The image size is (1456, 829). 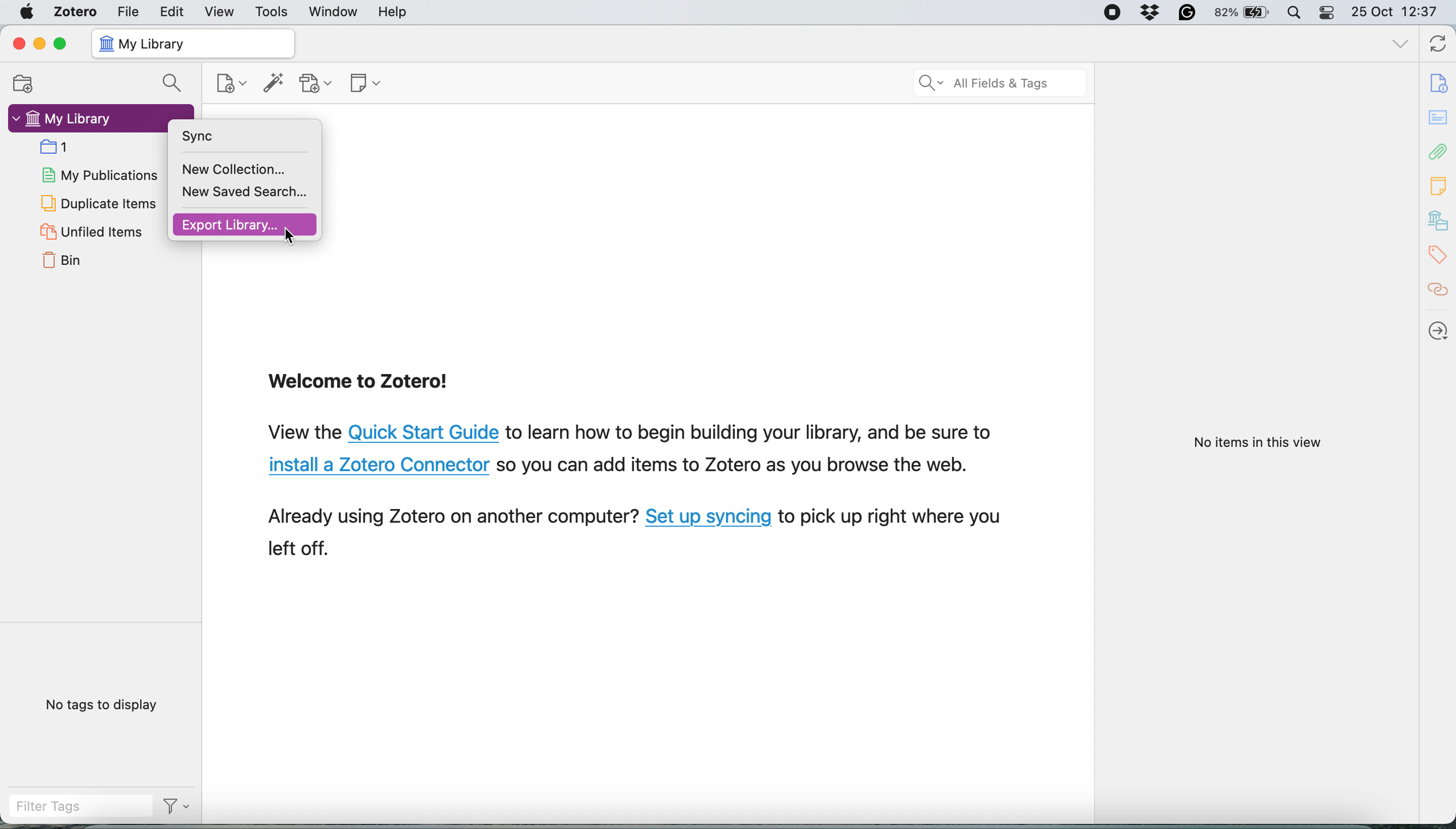 I want to click on system logo, so click(x=27, y=11).